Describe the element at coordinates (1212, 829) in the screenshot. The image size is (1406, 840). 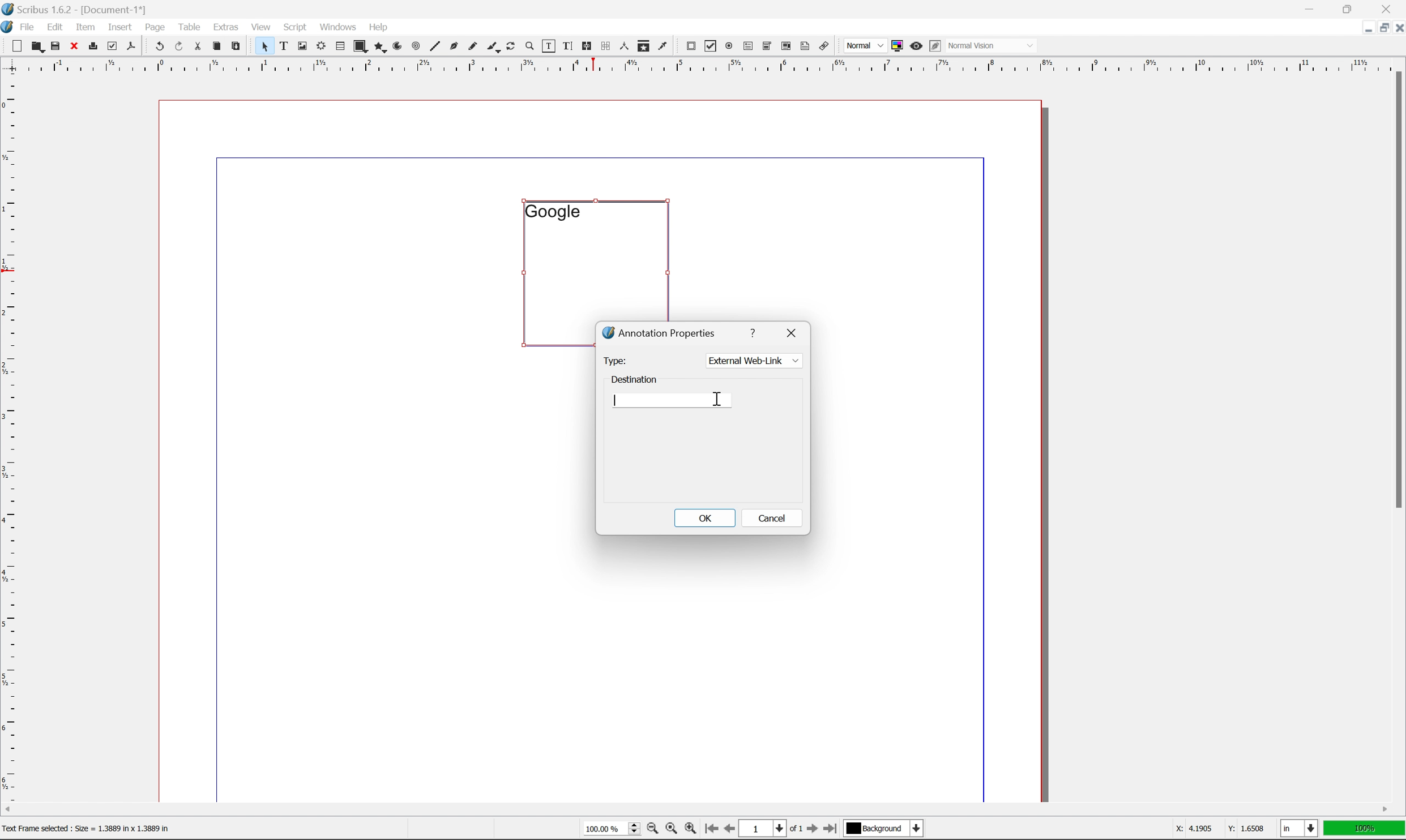
I see `coordinates` at that location.